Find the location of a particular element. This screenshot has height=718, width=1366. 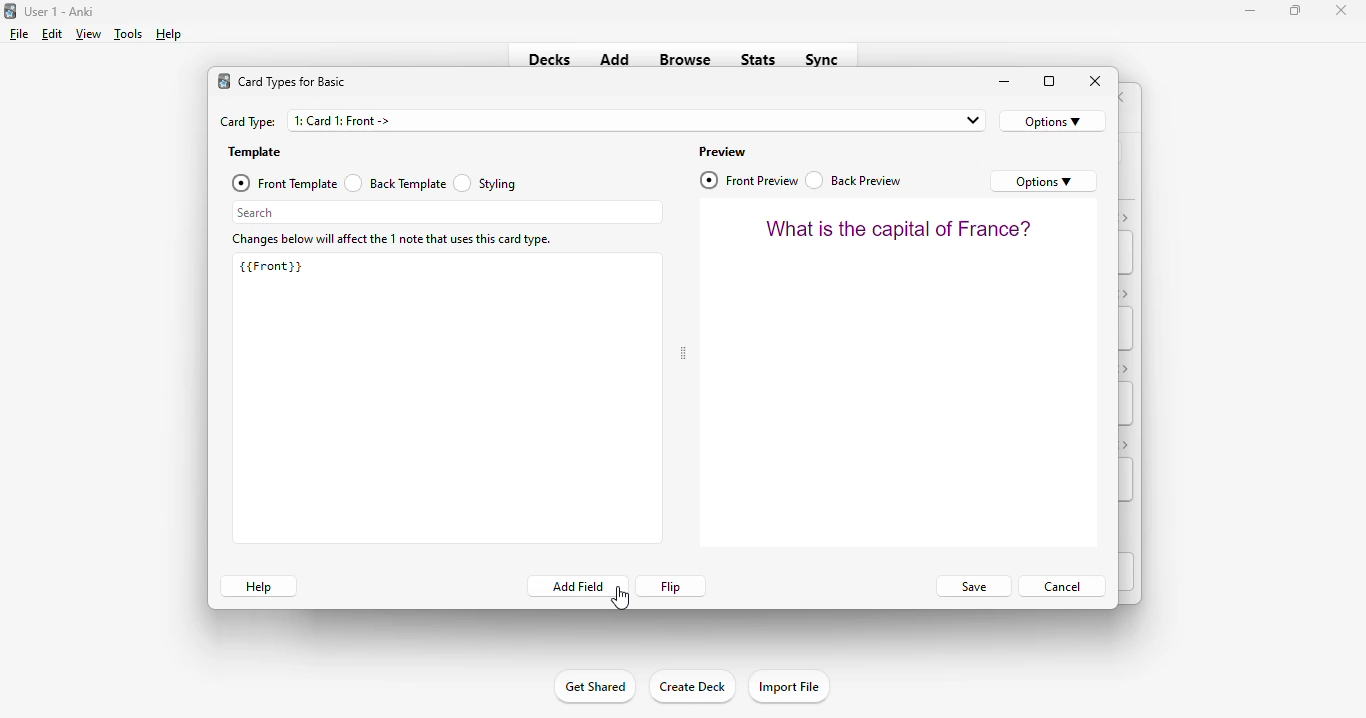

view is located at coordinates (88, 33).